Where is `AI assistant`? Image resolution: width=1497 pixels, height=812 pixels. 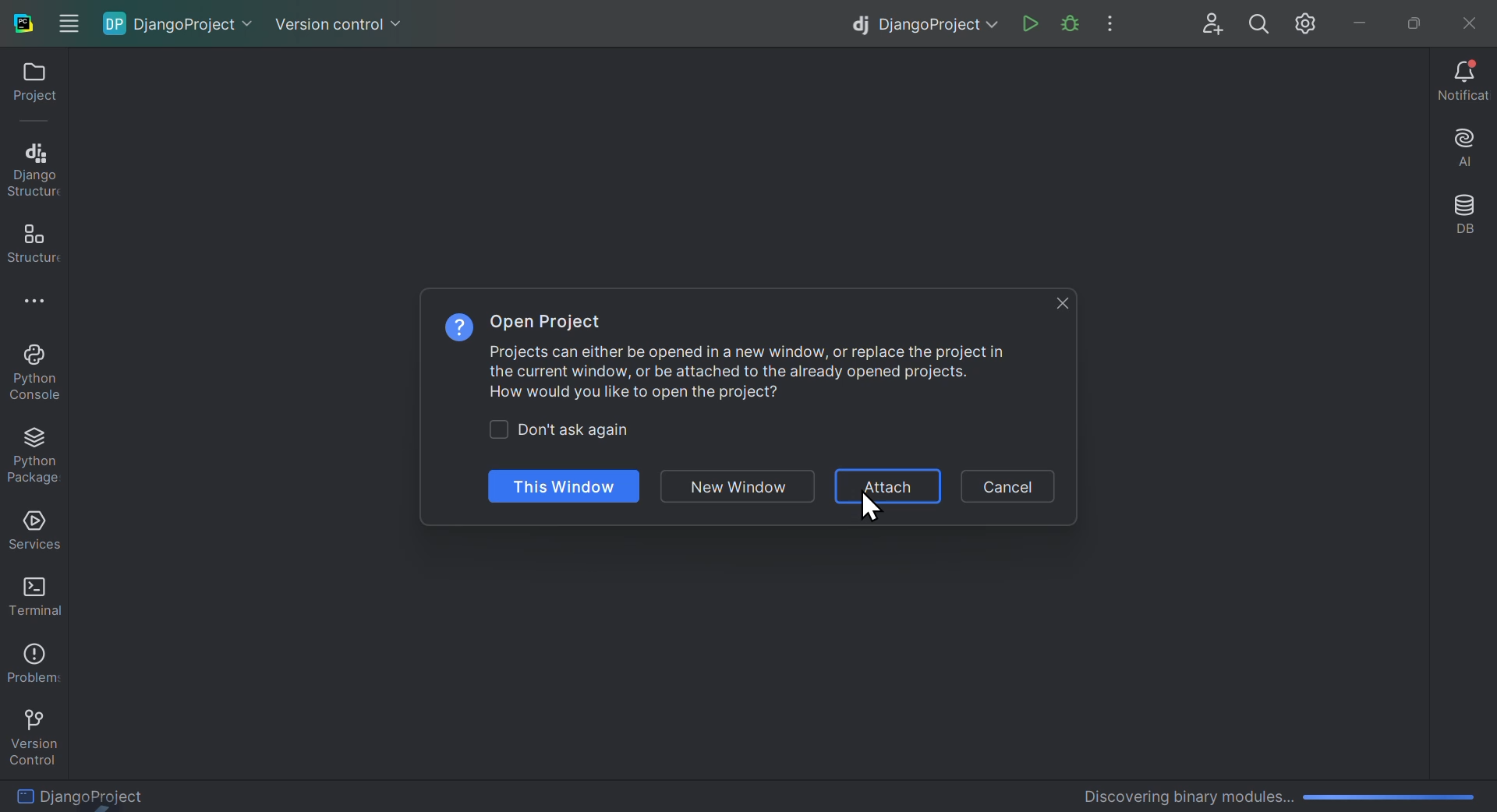 AI assistant is located at coordinates (1460, 150).